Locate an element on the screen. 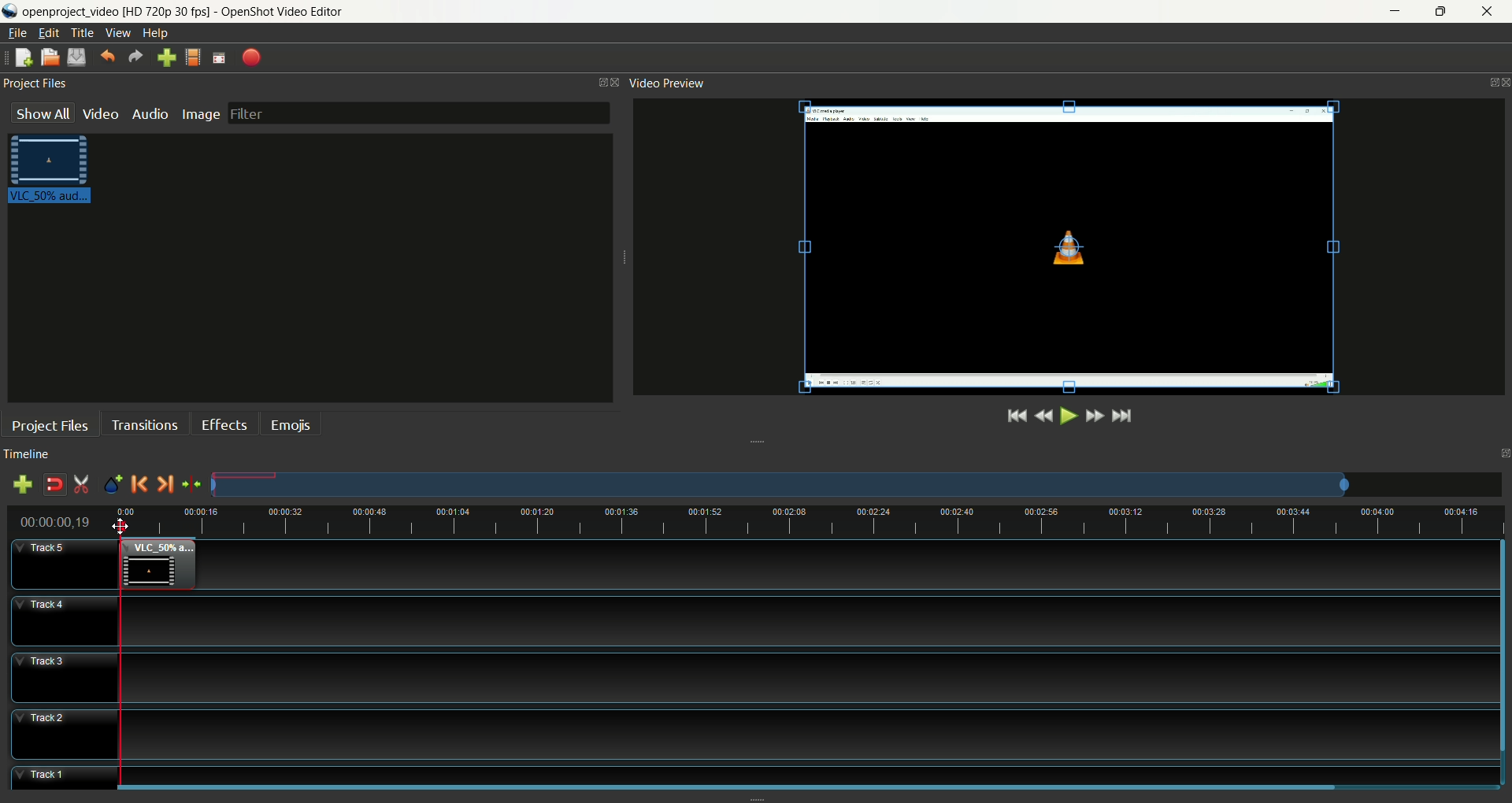 Image resolution: width=1512 pixels, height=803 pixels. edit is located at coordinates (46, 33).